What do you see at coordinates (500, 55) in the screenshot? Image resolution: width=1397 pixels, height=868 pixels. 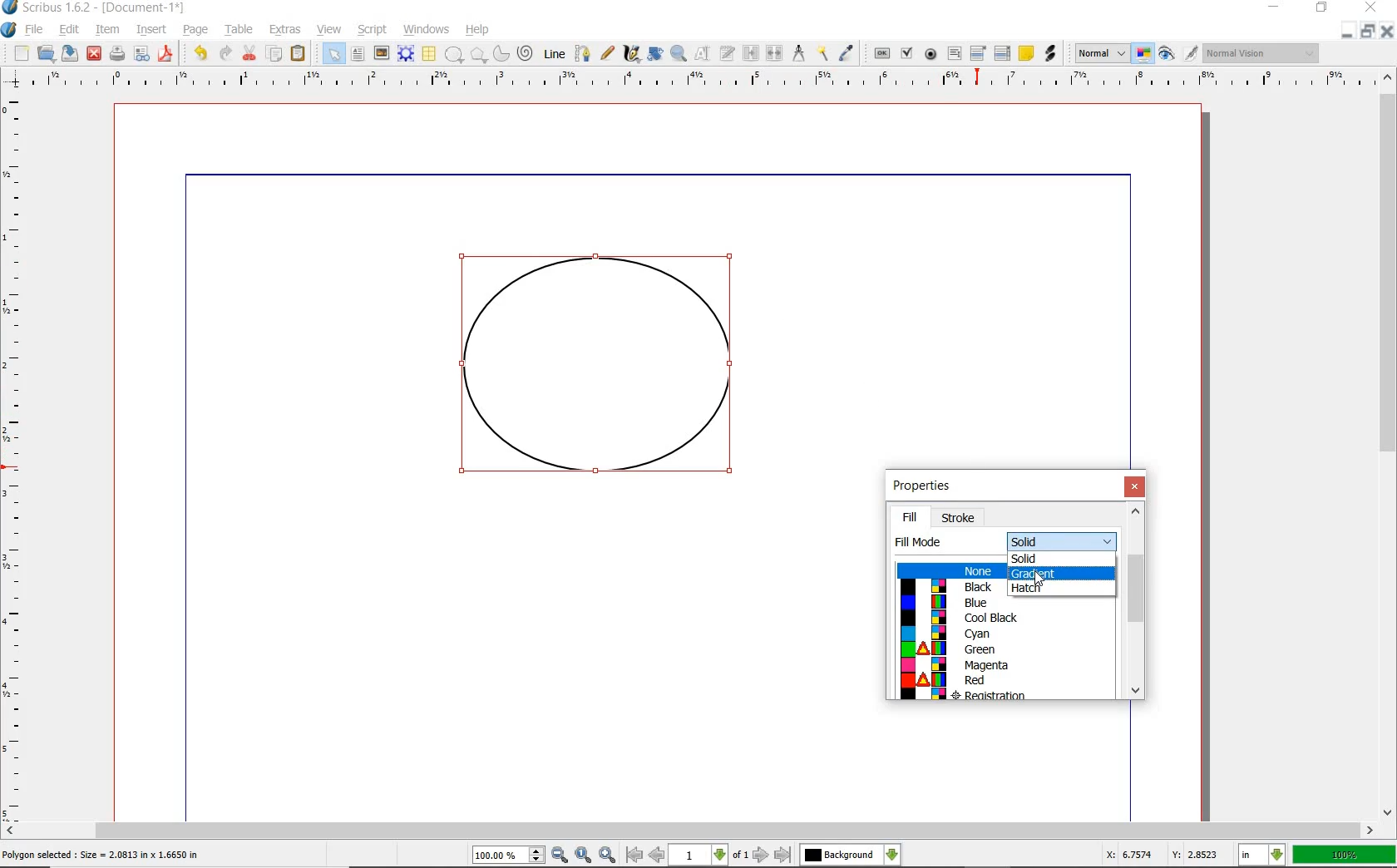 I see `ARC` at bounding box center [500, 55].